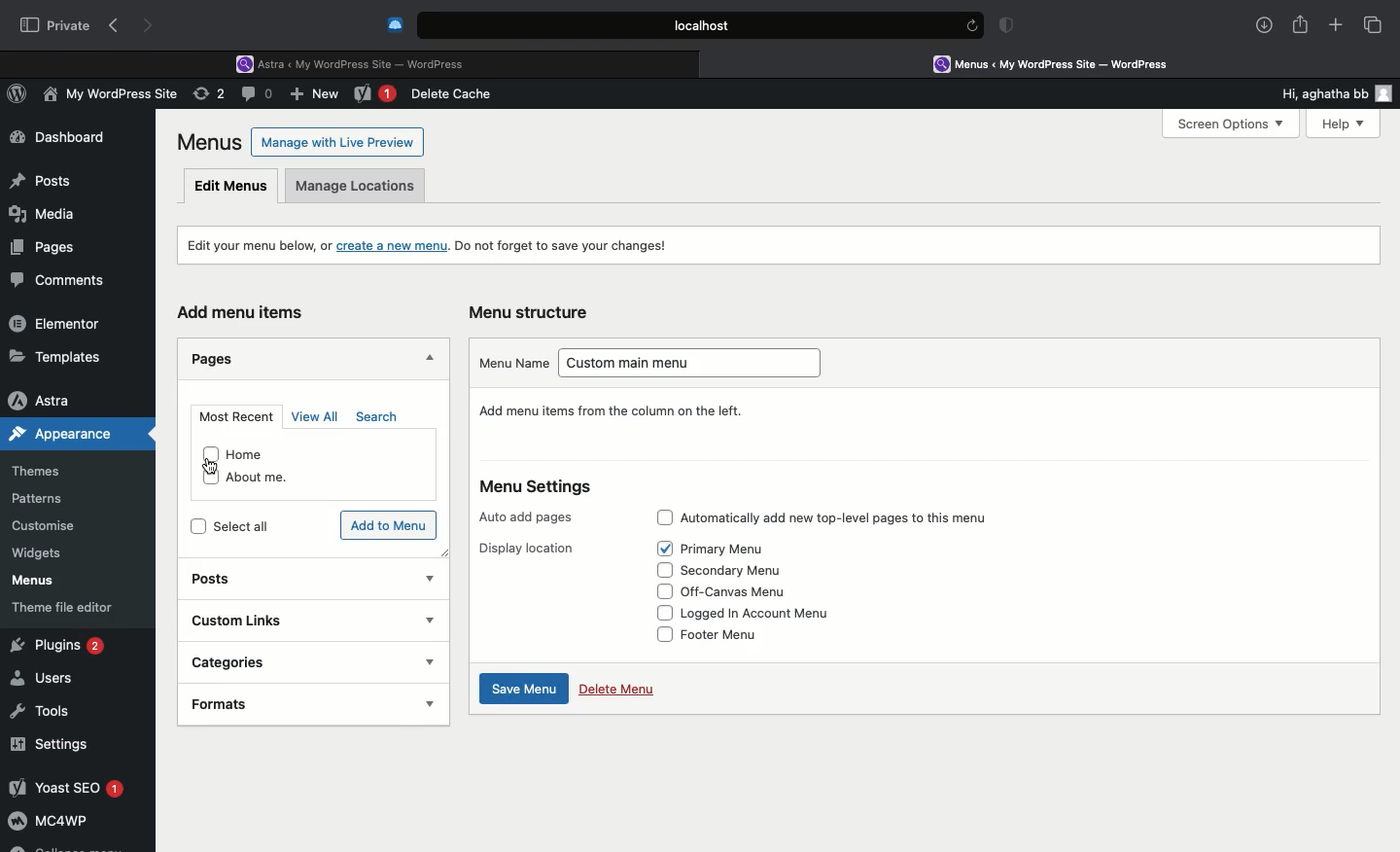 Image resolution: width=1400 pixels, height=852 pixels. Describe the element at coordinates (338, 141) in the screenshot. I see `Manage with Live Preview` at that location.